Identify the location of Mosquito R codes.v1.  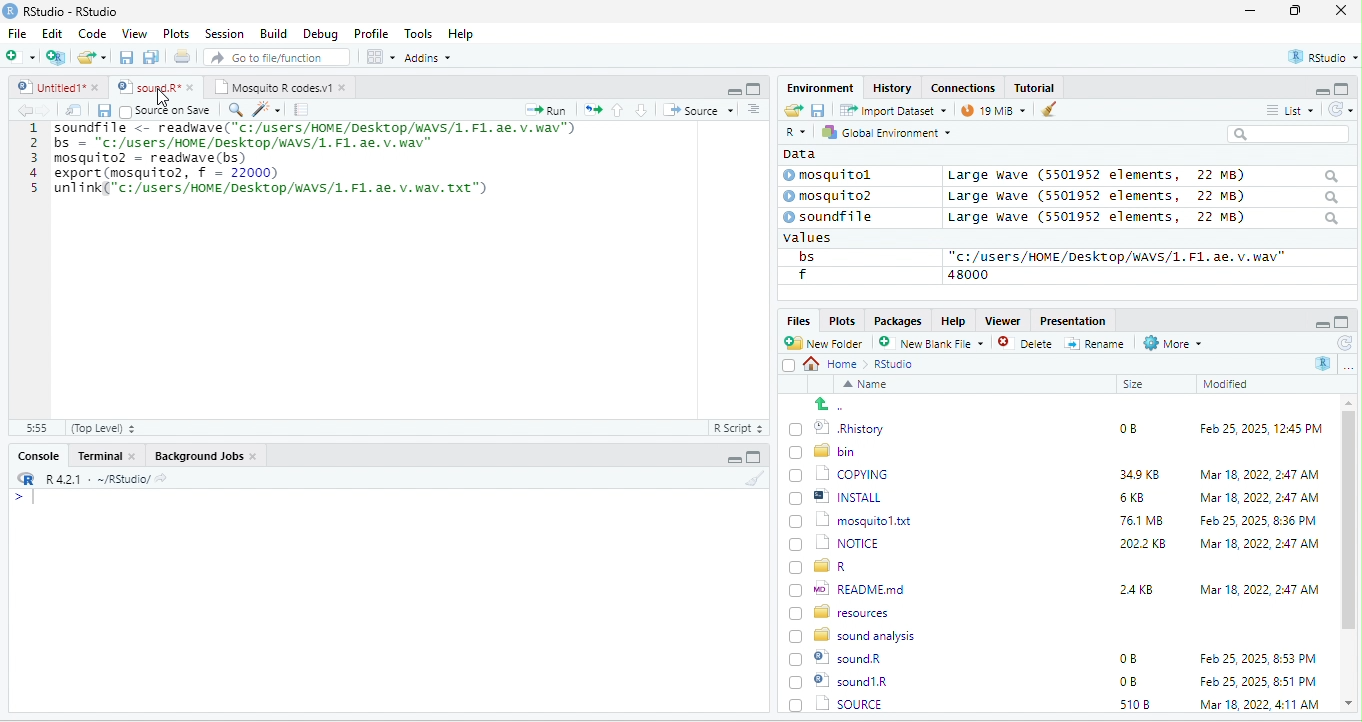
(276, 87).